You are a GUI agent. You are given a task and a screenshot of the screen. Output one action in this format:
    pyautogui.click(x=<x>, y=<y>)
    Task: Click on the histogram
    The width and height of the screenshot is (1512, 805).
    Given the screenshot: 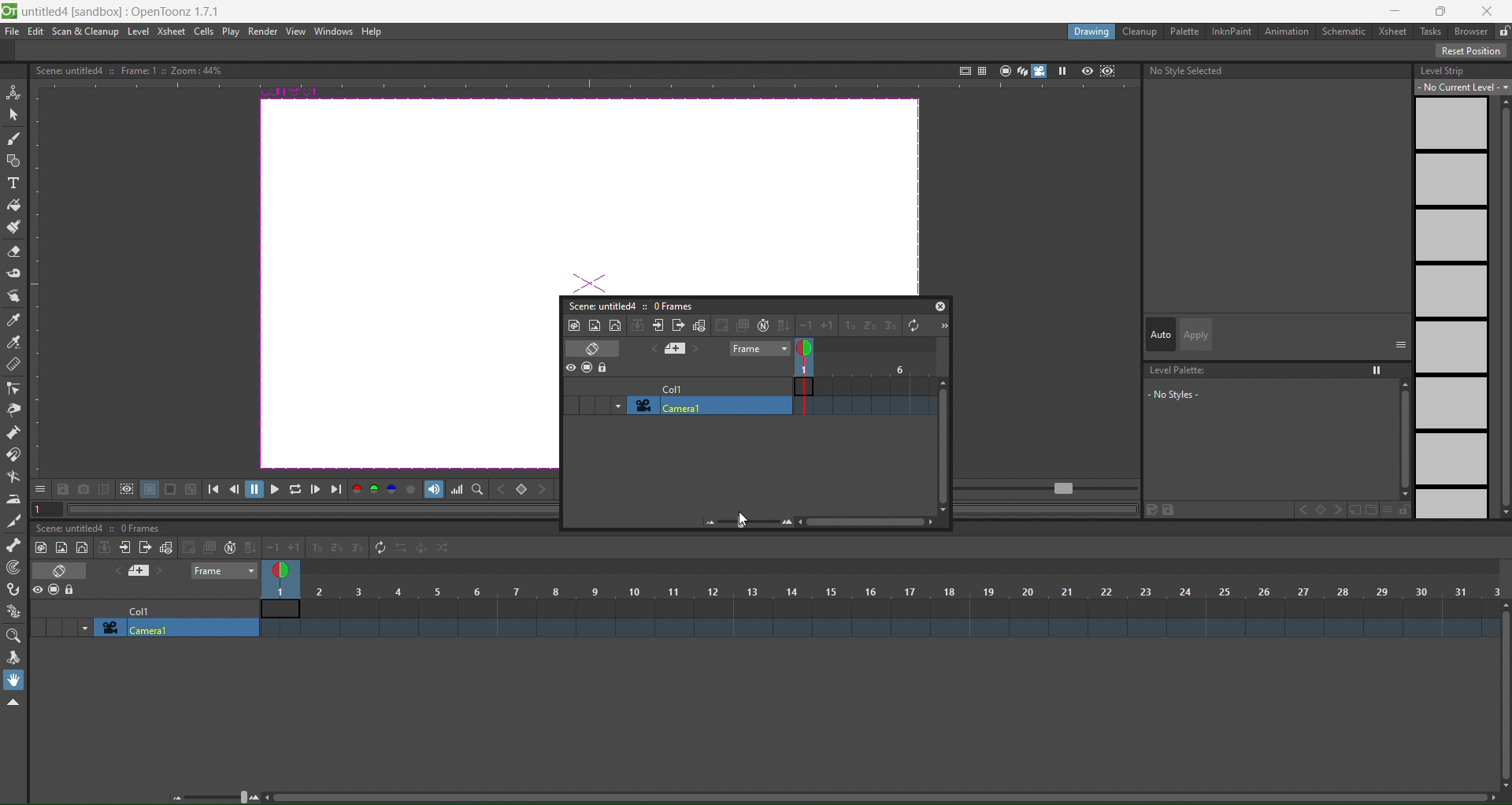 What is the action you would take?
    pyautogui.click(x=458, y=490)
    